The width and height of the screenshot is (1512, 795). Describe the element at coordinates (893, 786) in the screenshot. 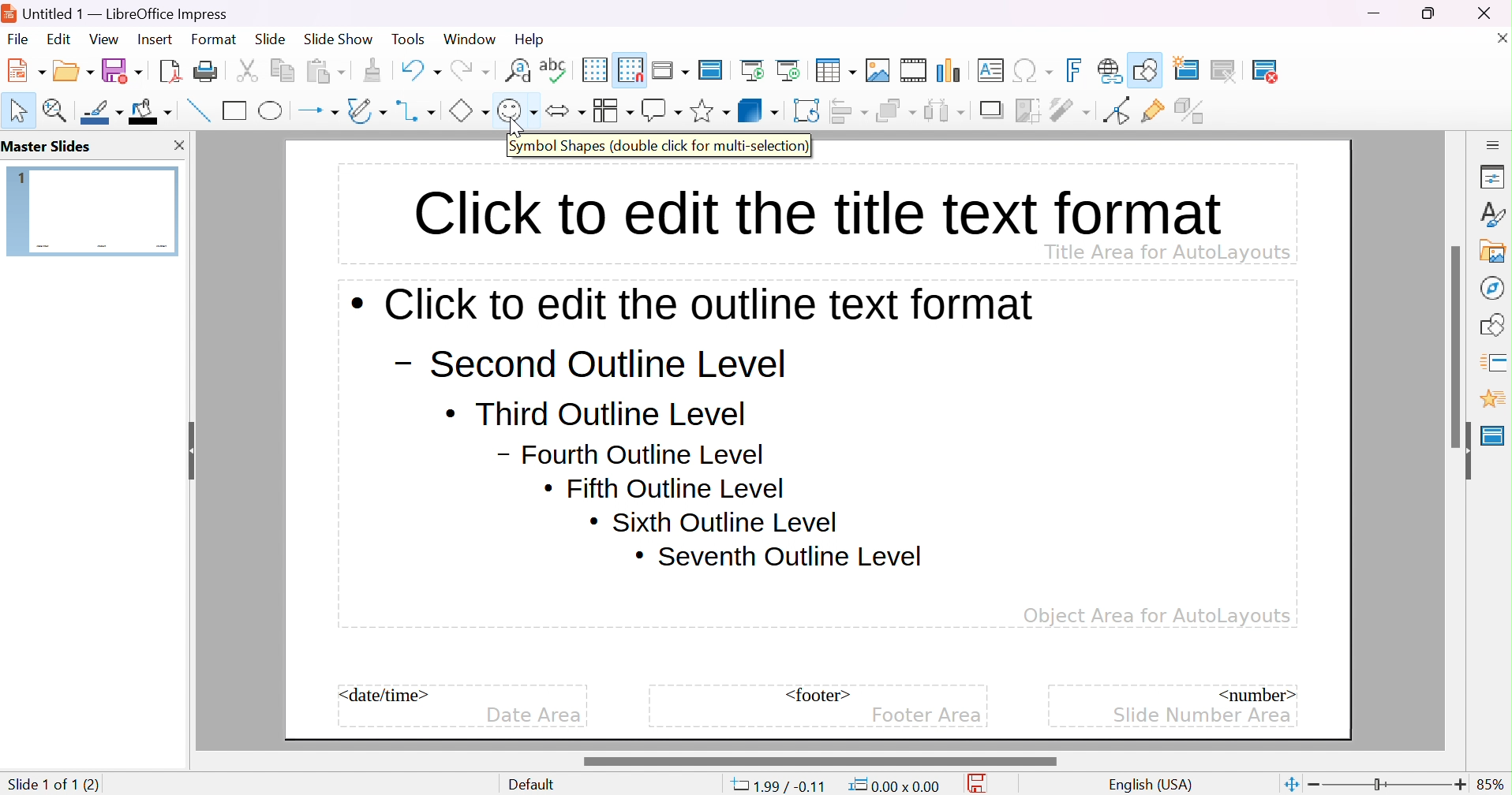

I see `0.00*0.00` at that location.